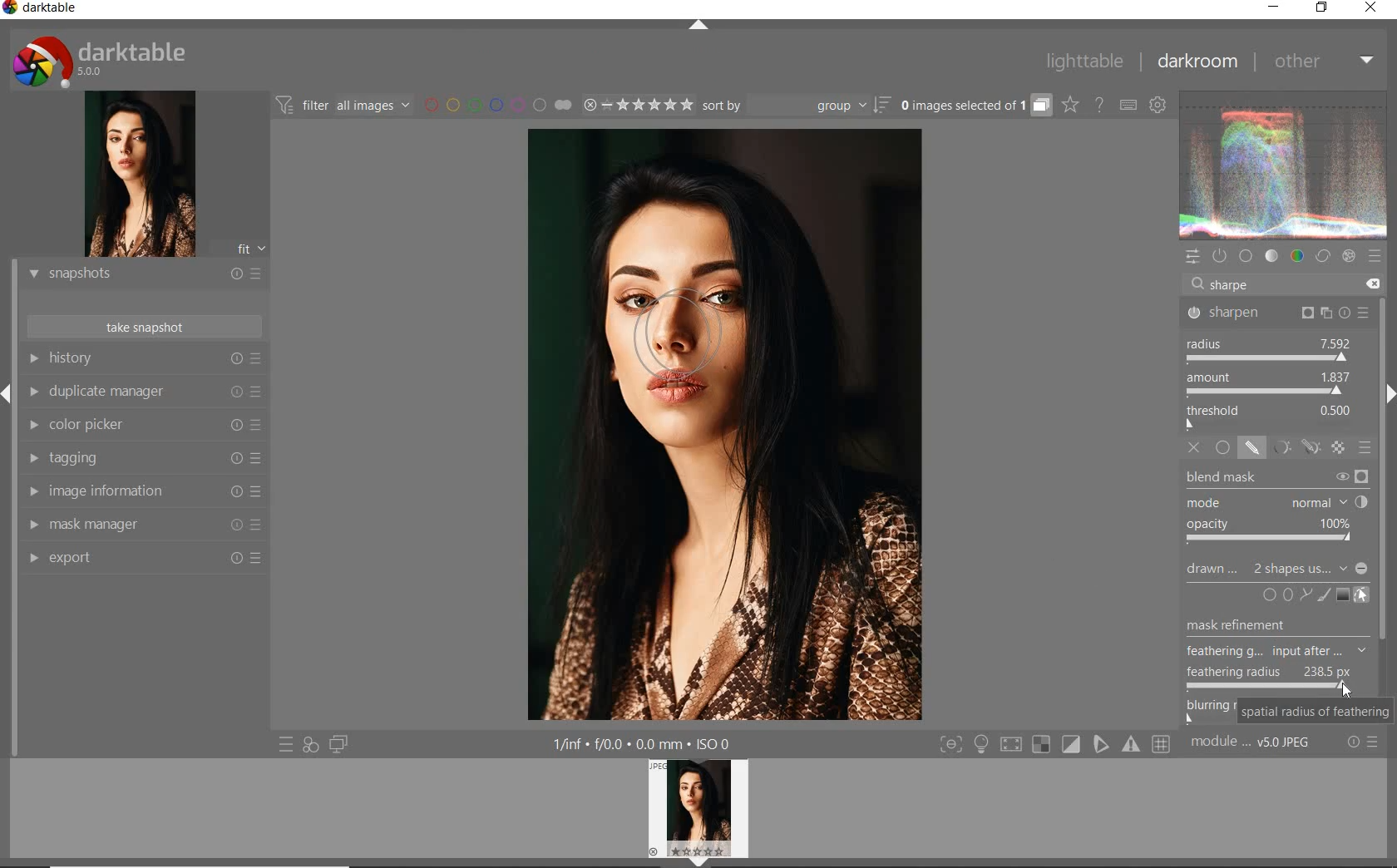  Describe the element at coordinates (1013, 746) in the screenshot. I see `sign ` at that location.